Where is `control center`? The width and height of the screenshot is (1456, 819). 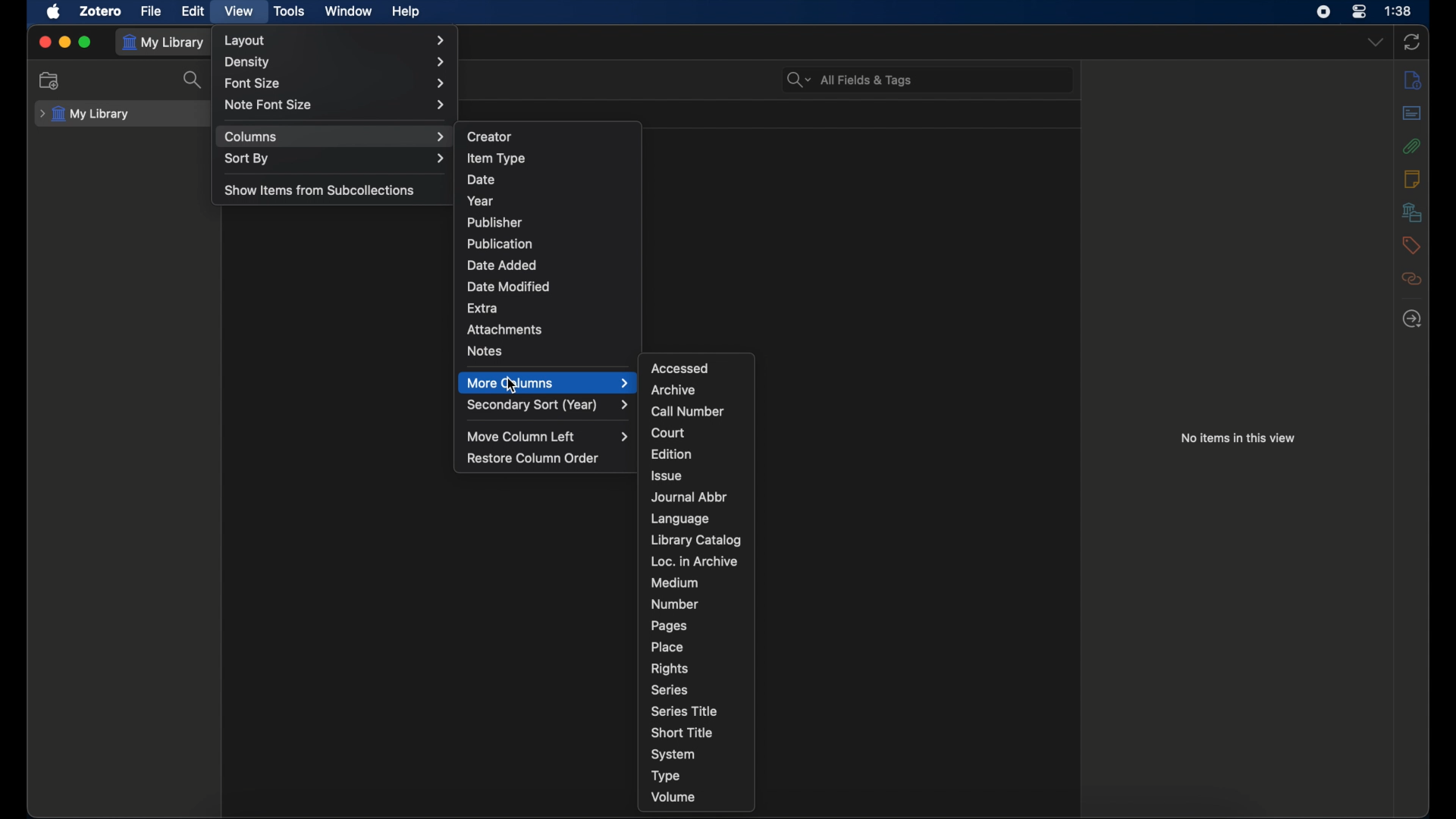
control center is located at coordinates (1360, 12).